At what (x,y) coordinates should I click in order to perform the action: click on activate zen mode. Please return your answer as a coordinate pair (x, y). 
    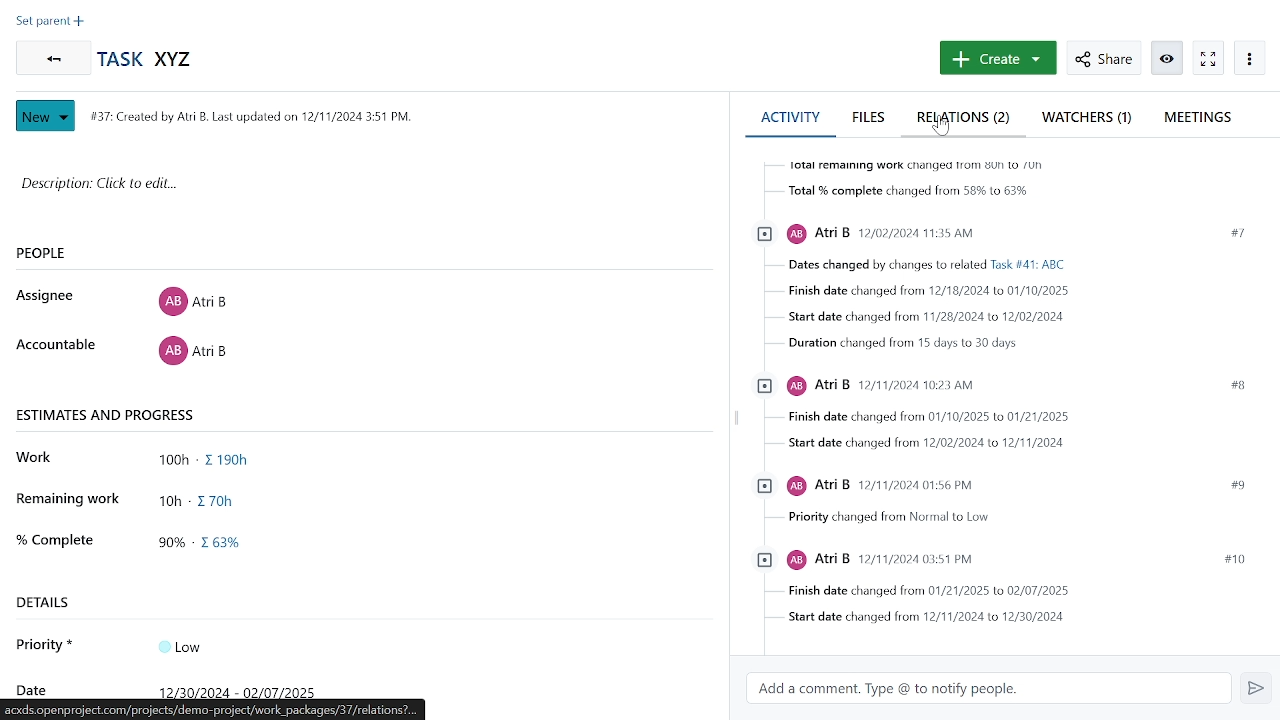
    Looking at the image, I should click on (1169, 57).